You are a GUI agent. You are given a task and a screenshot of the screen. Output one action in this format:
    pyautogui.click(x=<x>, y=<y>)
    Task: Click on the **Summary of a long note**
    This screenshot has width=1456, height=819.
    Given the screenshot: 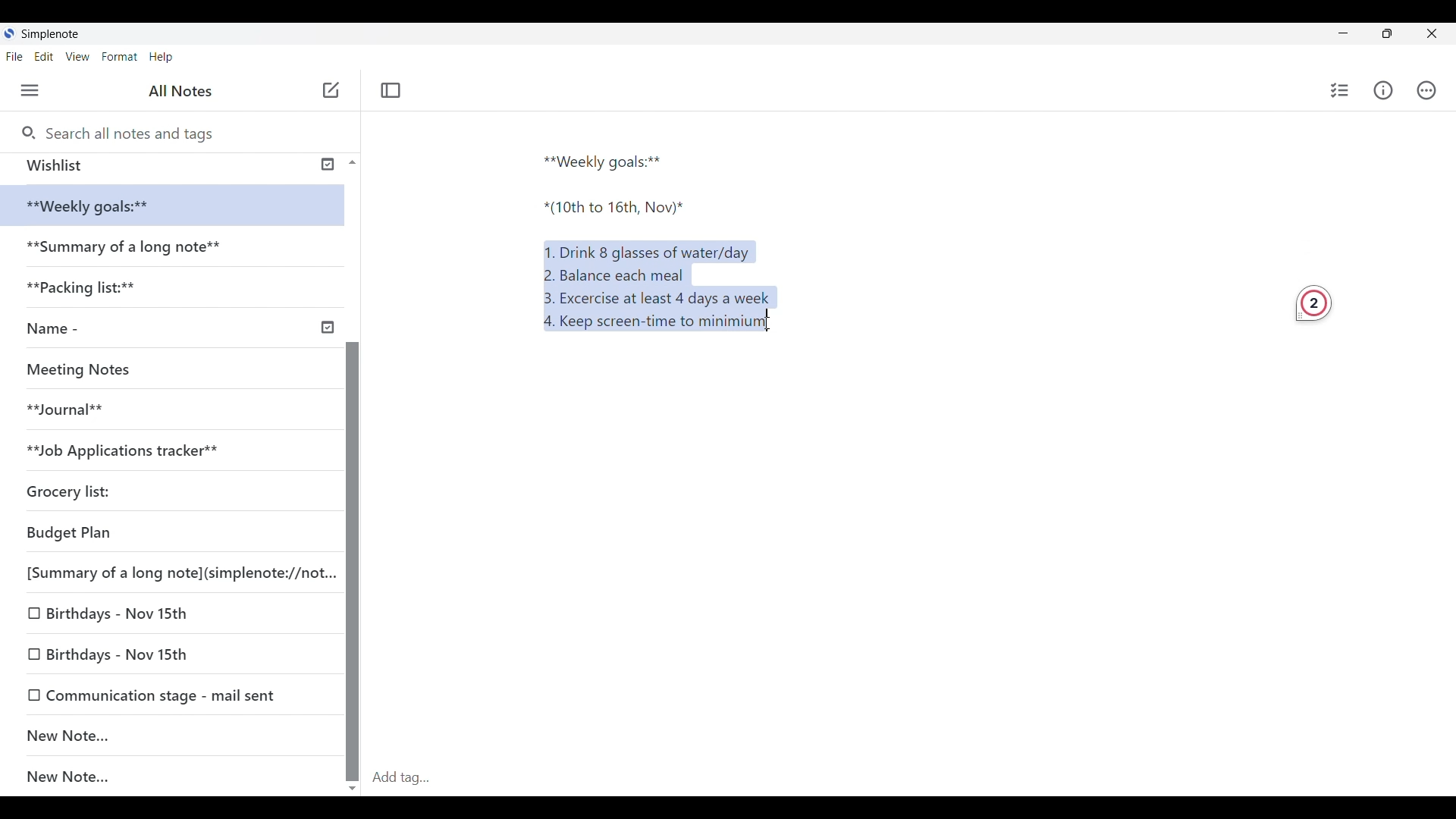 What is the action you would take?
    pyautogui.click(x=128, y=249)
    